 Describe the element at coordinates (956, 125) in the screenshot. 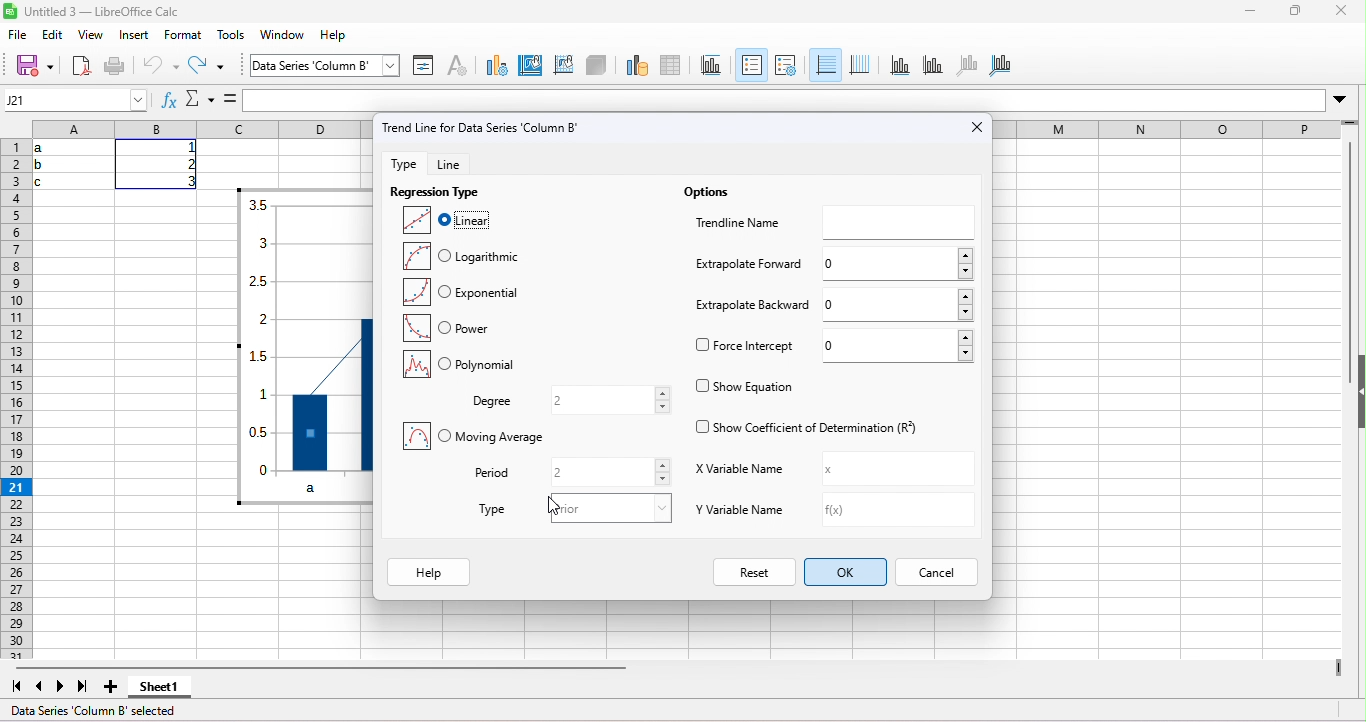

I see `close` at that location.